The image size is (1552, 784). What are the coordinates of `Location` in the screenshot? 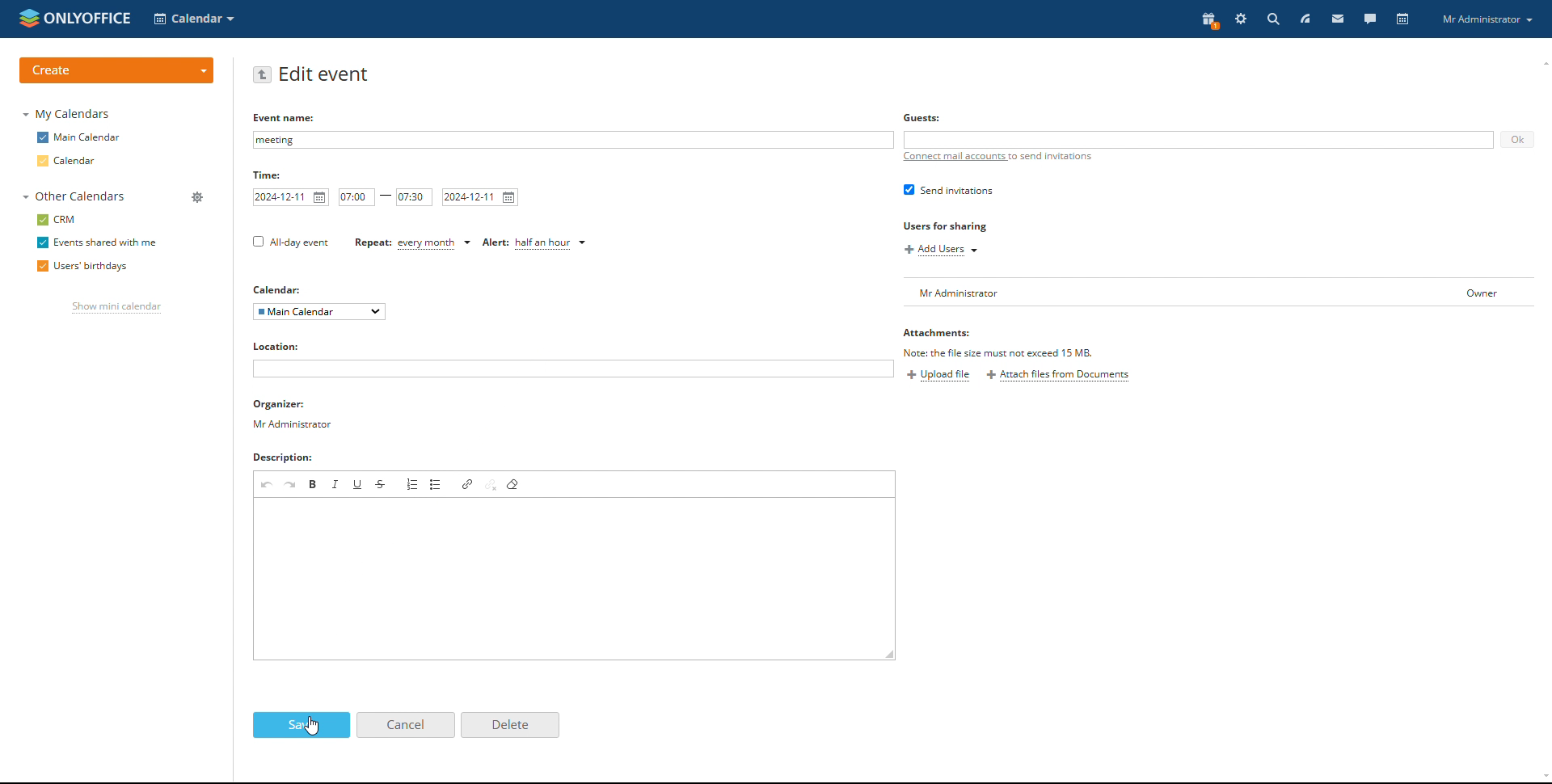 It's located at (279, 348).